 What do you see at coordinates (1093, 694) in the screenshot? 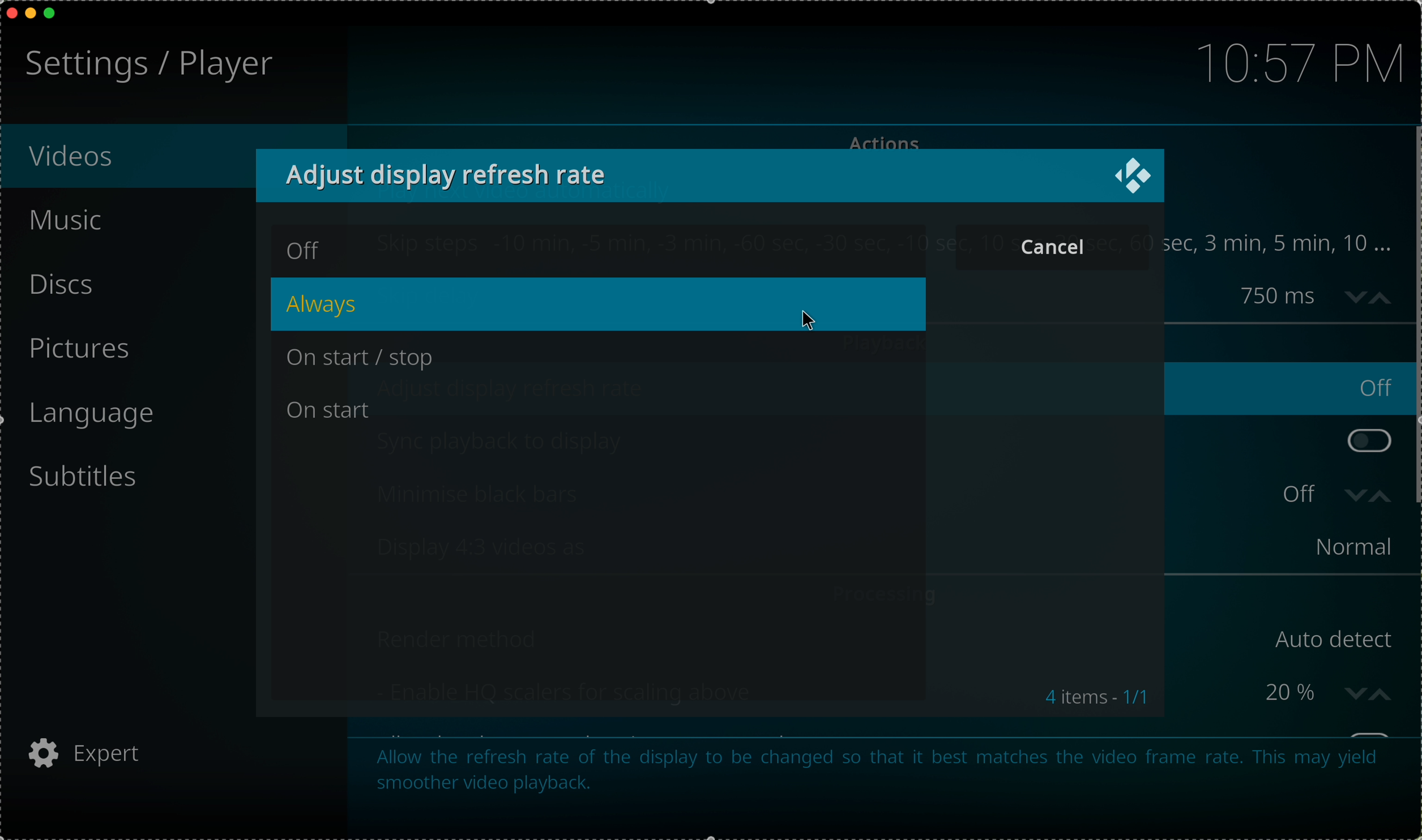
I see `4 items 1/1` at bounding box center [1093, 694].